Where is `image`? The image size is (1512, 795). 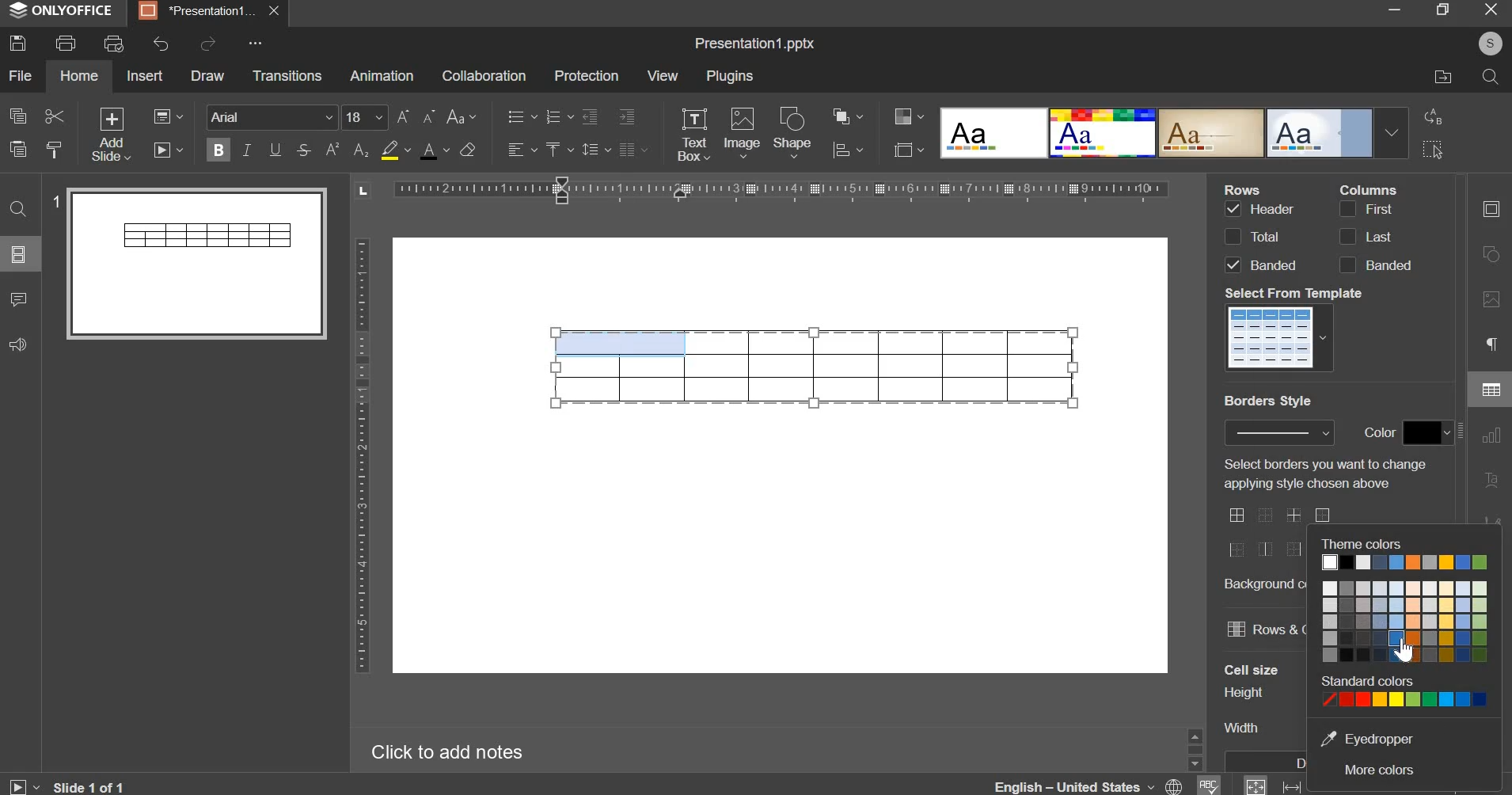
image is located at coordinates (742, 131).